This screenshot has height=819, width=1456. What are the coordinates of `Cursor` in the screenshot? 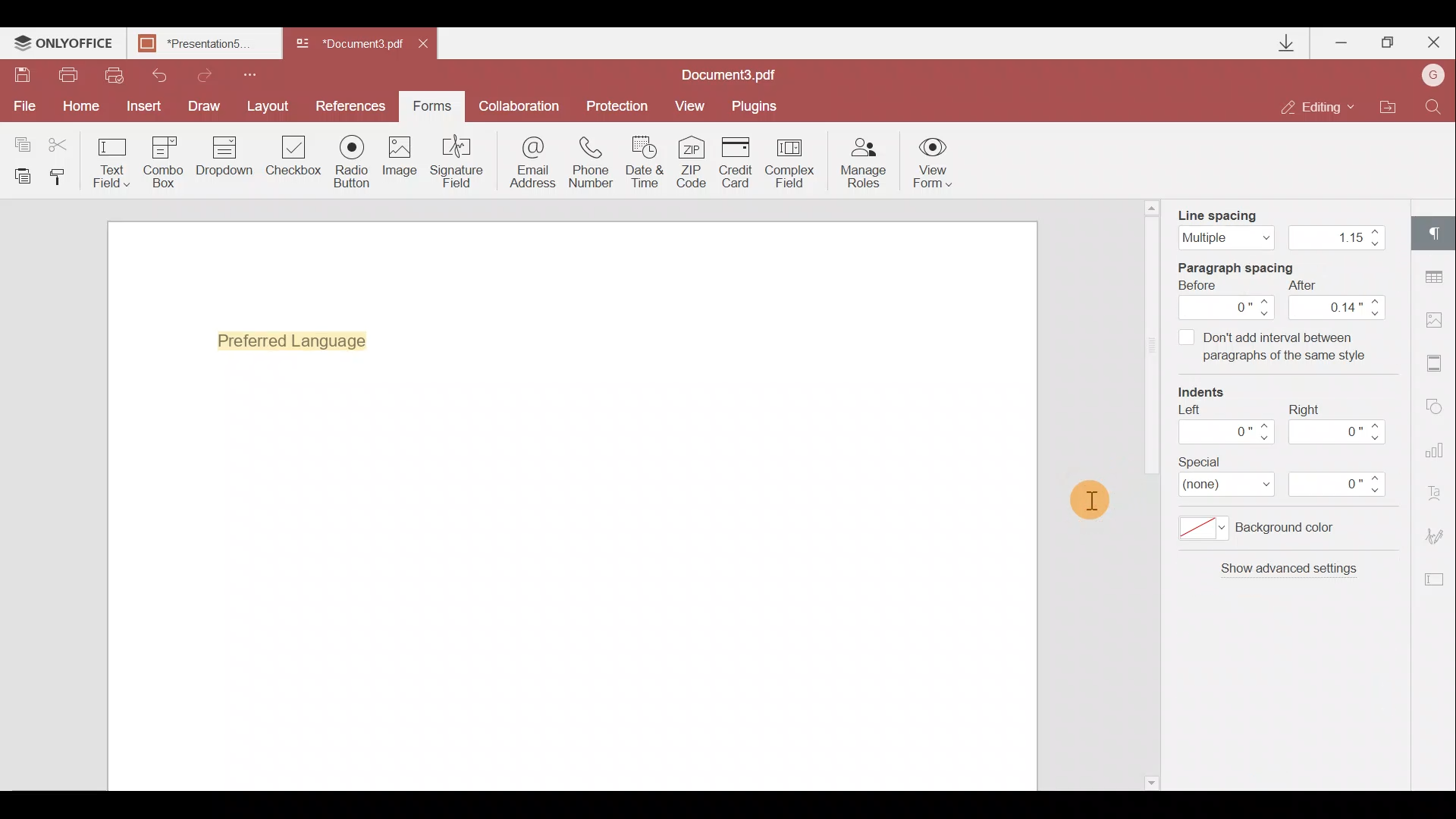 It's located at (1081, 497).